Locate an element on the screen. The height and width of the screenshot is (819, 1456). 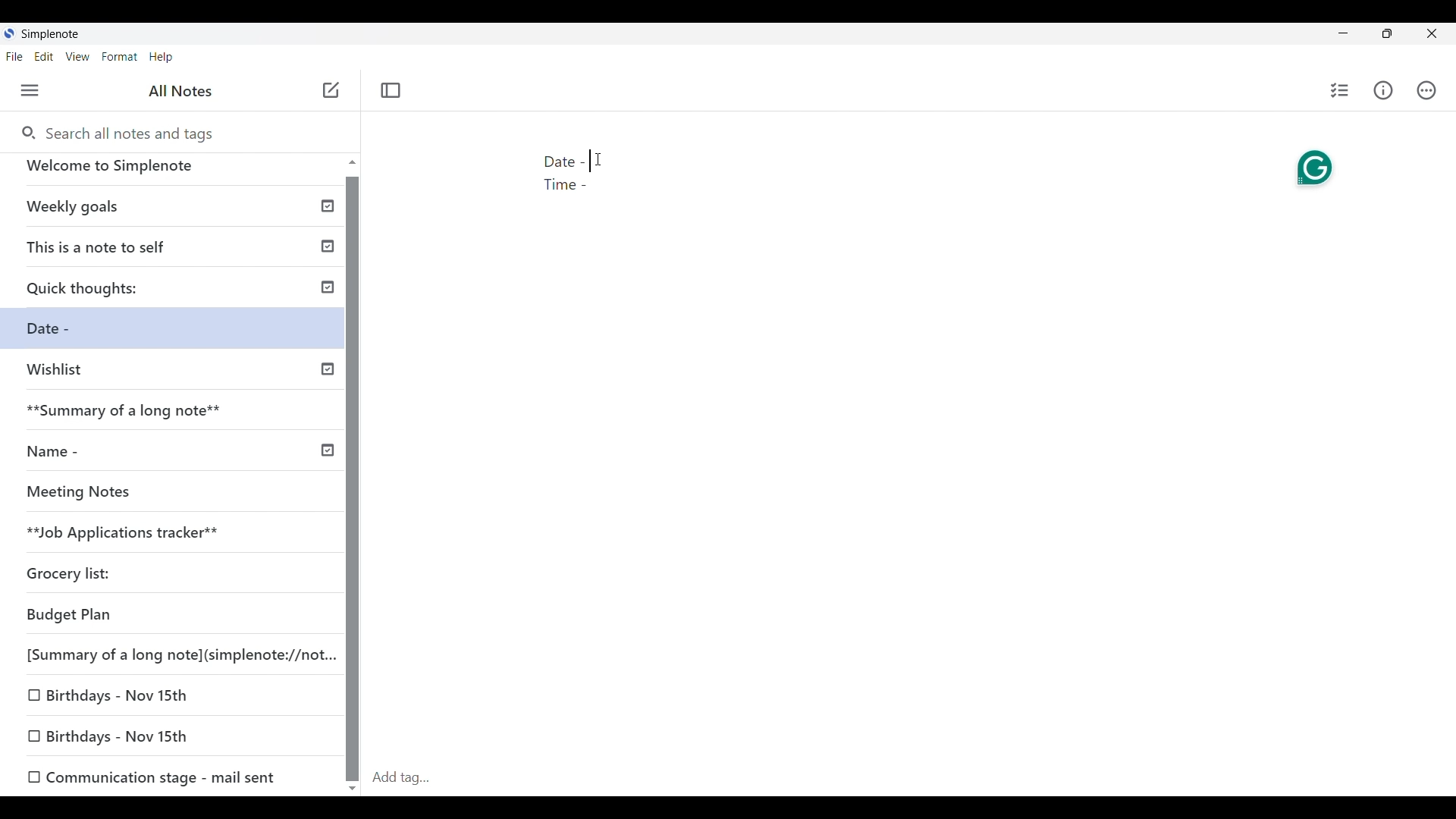
Unpublished note is located at coordinates (124, 495).